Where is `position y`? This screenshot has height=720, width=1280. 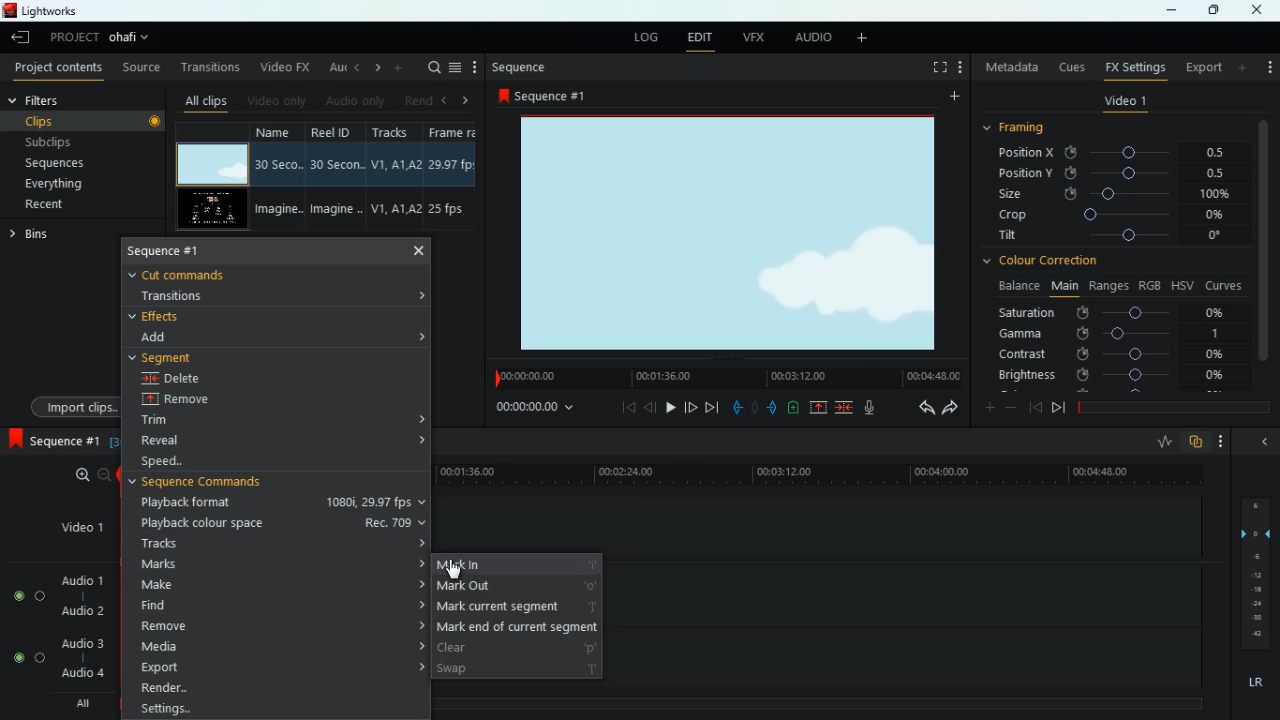 position y is located at coordinates (1104, 174).